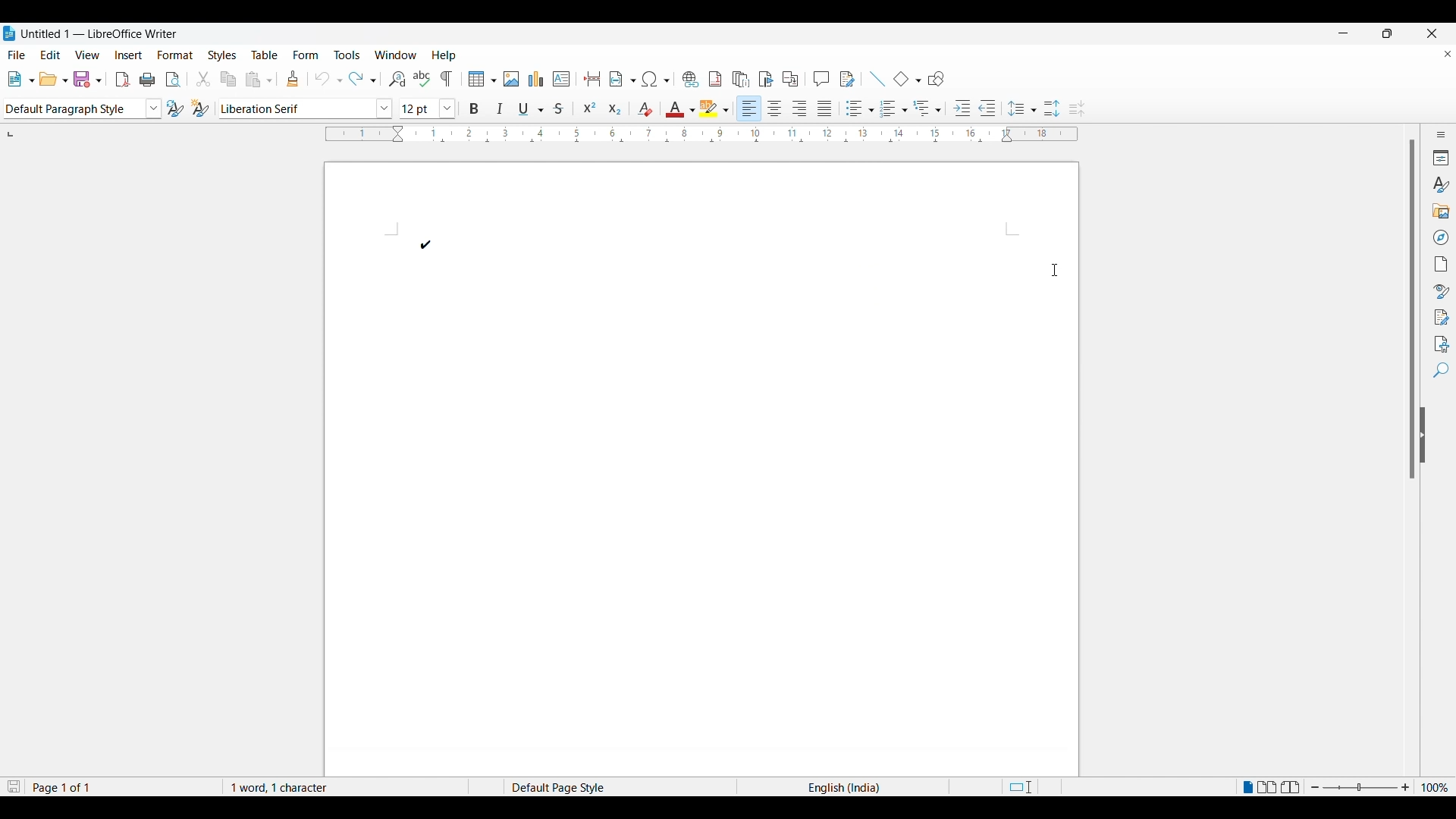 Image resolution: width=1456 pixels, height=819 pixels. What do you see at coordinates (1053, 268) in the screenshot?
I see `cursor` at bounding box center [1053, 268].